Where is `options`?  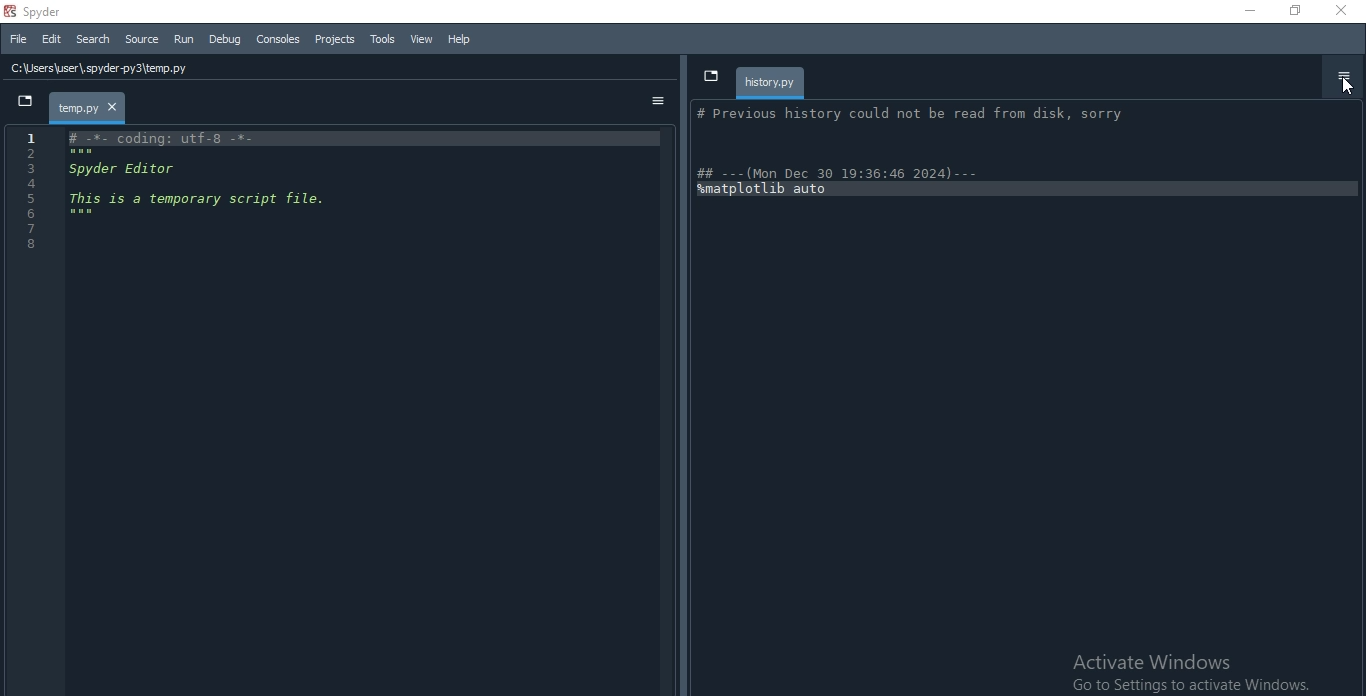 options is located at coordinates (1344, 74).